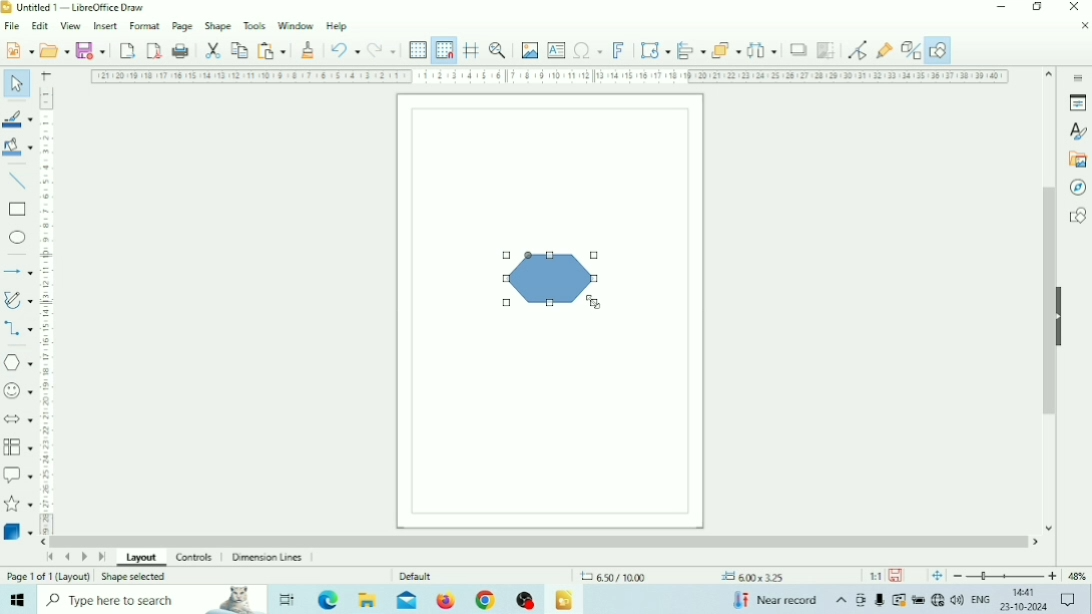  I want to click on Hexagon, so click(552, 281).